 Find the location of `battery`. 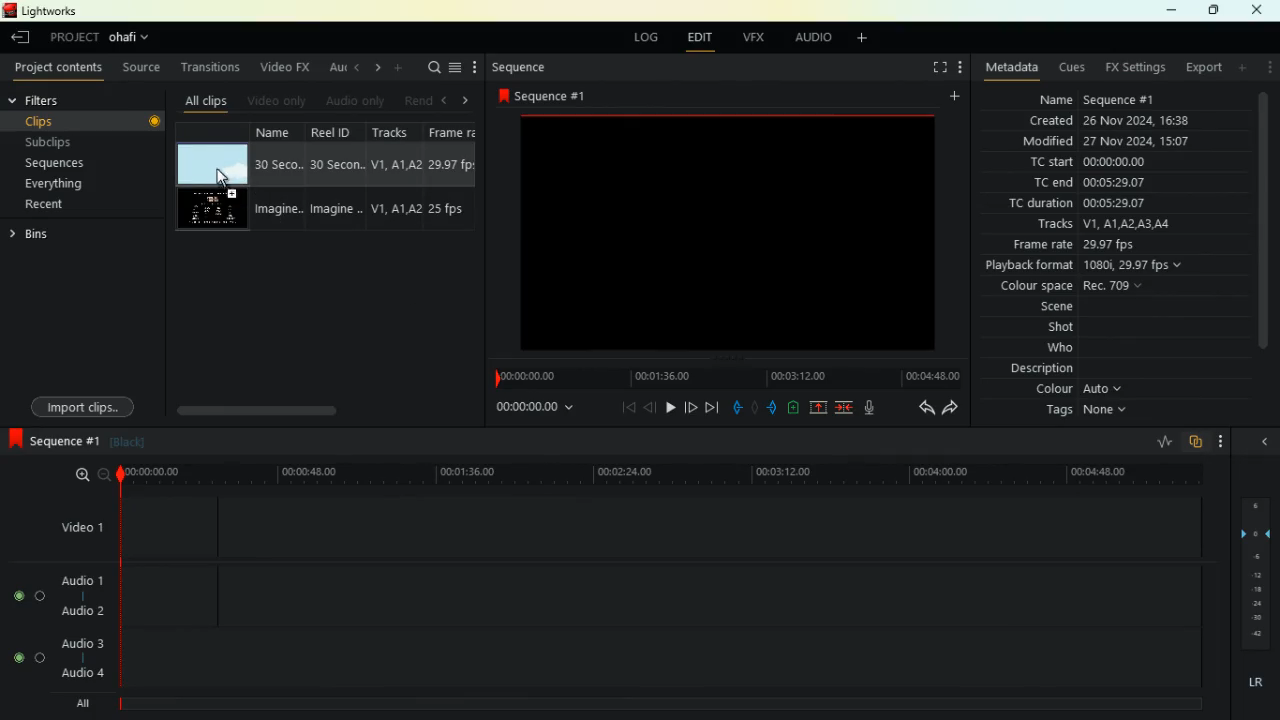

battery is located at coordinates (793, 408).